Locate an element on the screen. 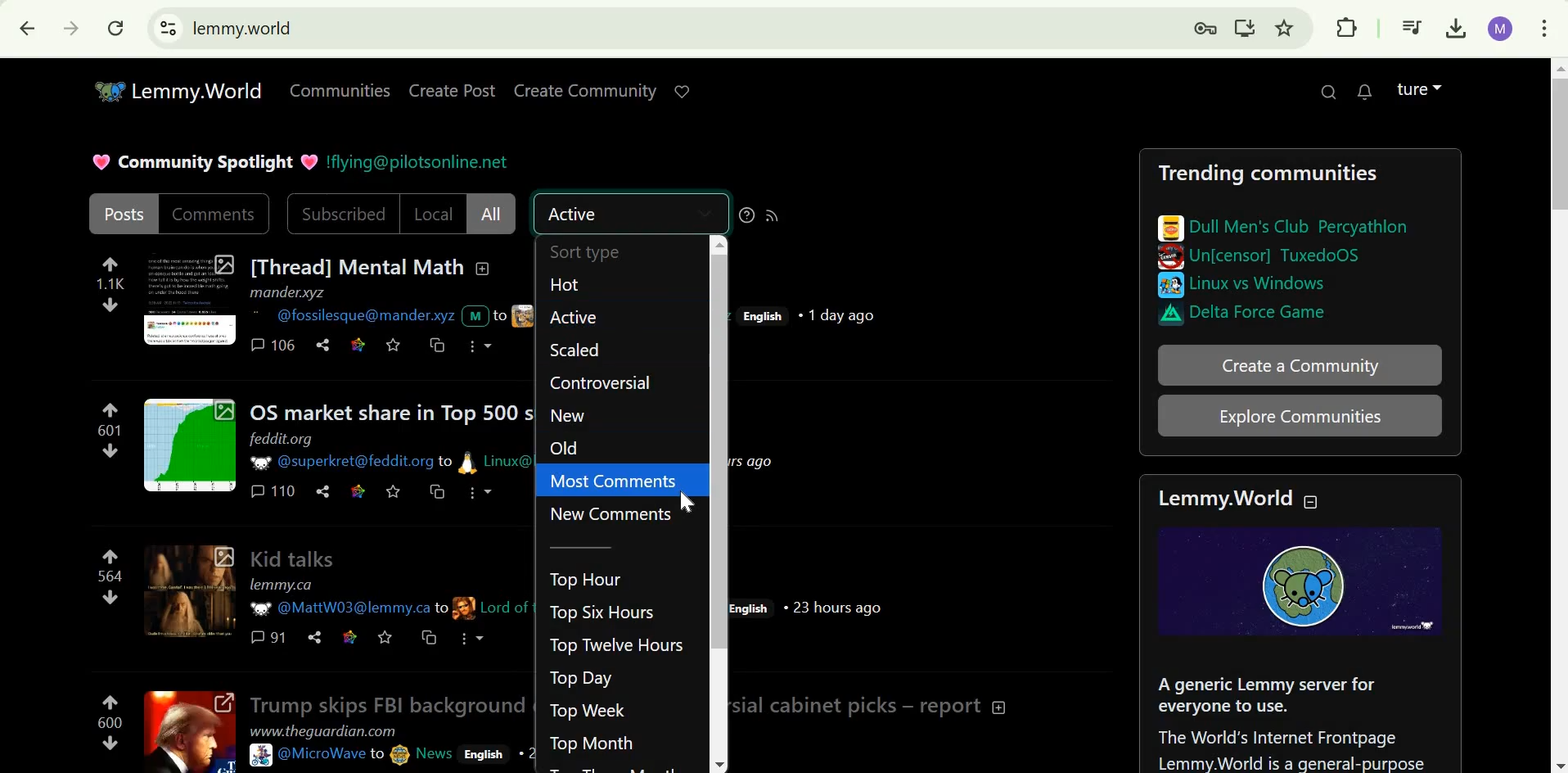 The image size is (1568, 773). share is located at coordinates (320, 491).